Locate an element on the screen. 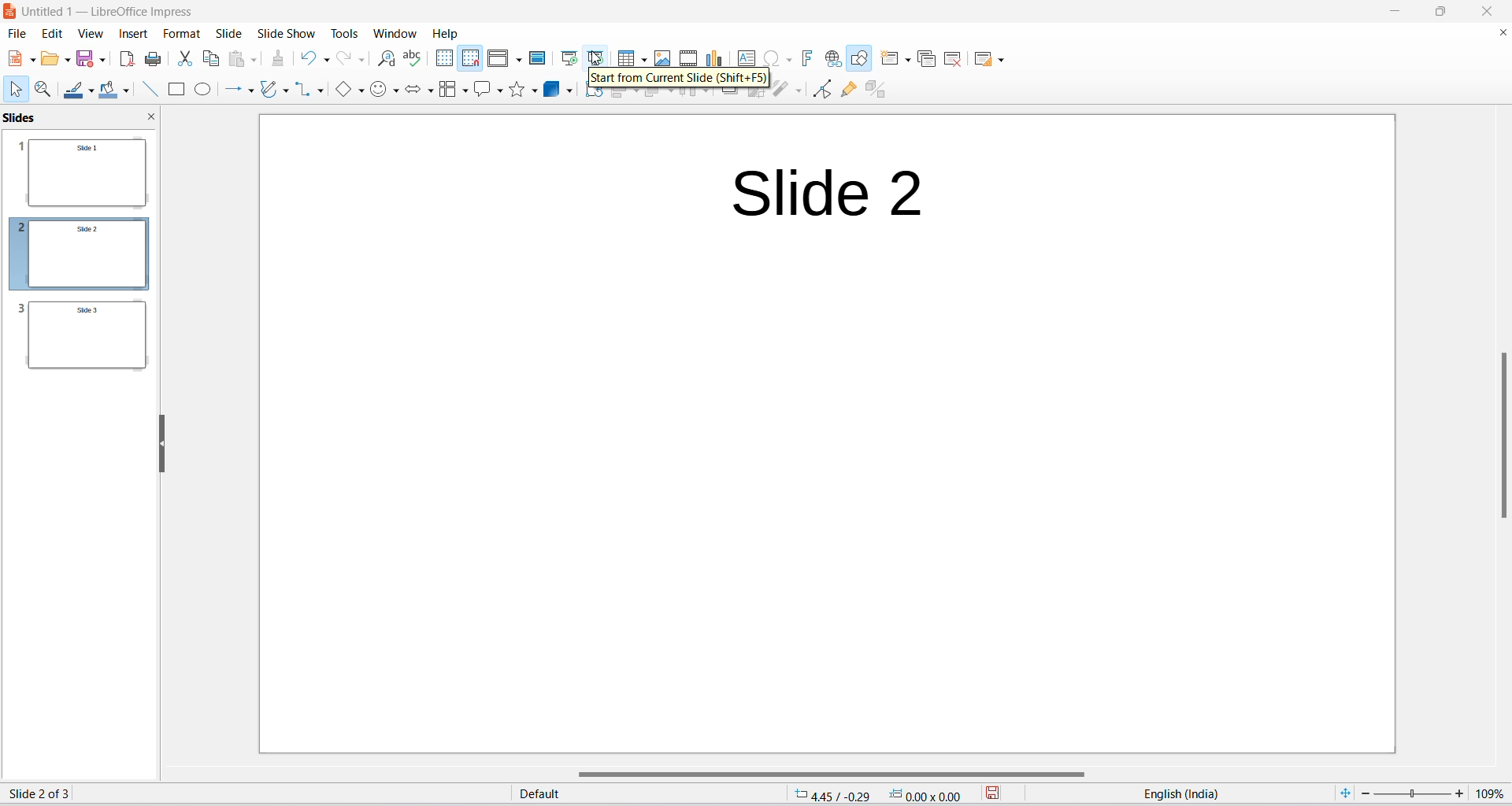 The width and height of the screenshot is (1512, 806). vertical scrollbar is located at coordinates (1496, 438).